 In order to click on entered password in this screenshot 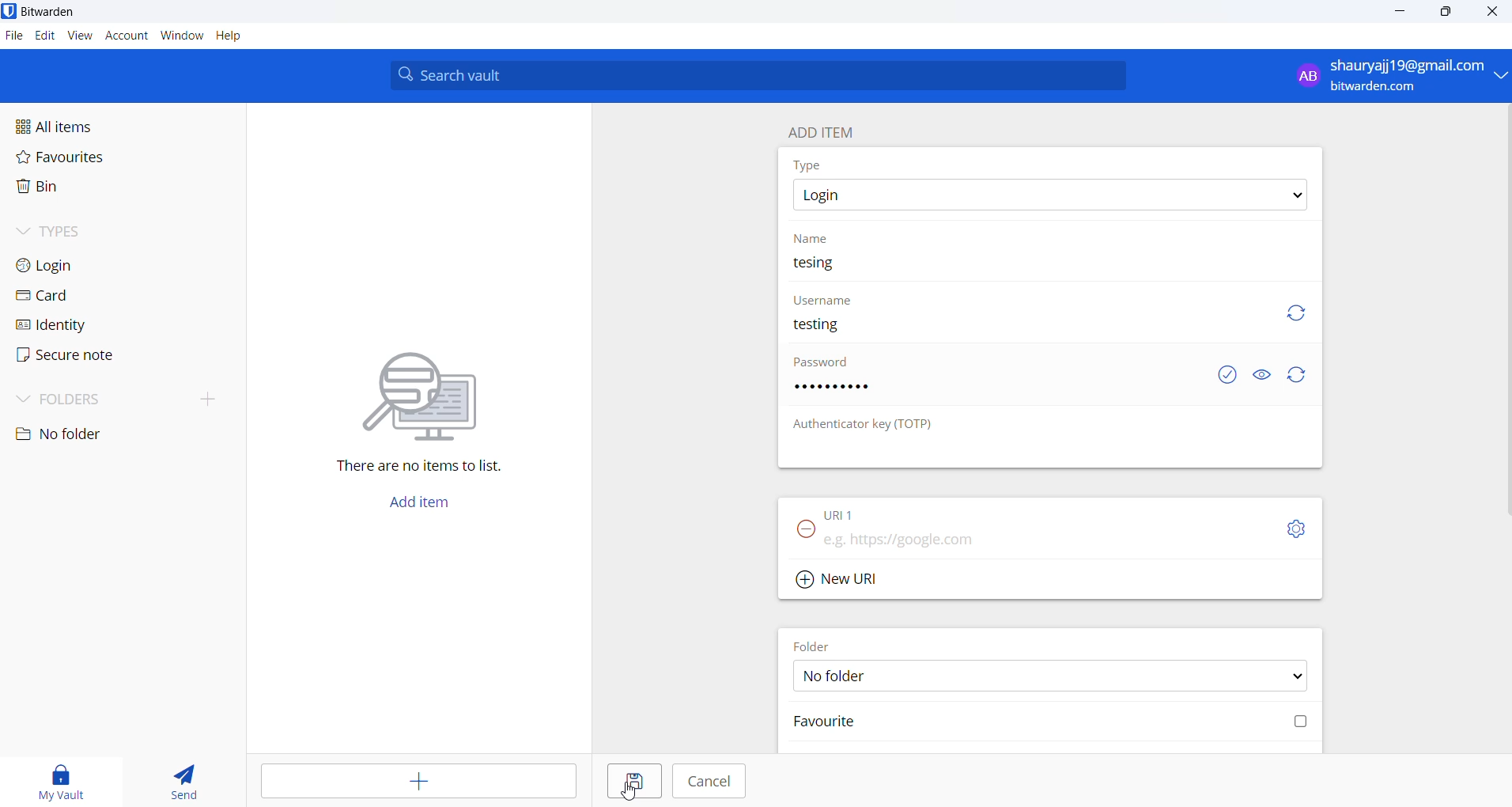, I will do `click(842, 392)`.